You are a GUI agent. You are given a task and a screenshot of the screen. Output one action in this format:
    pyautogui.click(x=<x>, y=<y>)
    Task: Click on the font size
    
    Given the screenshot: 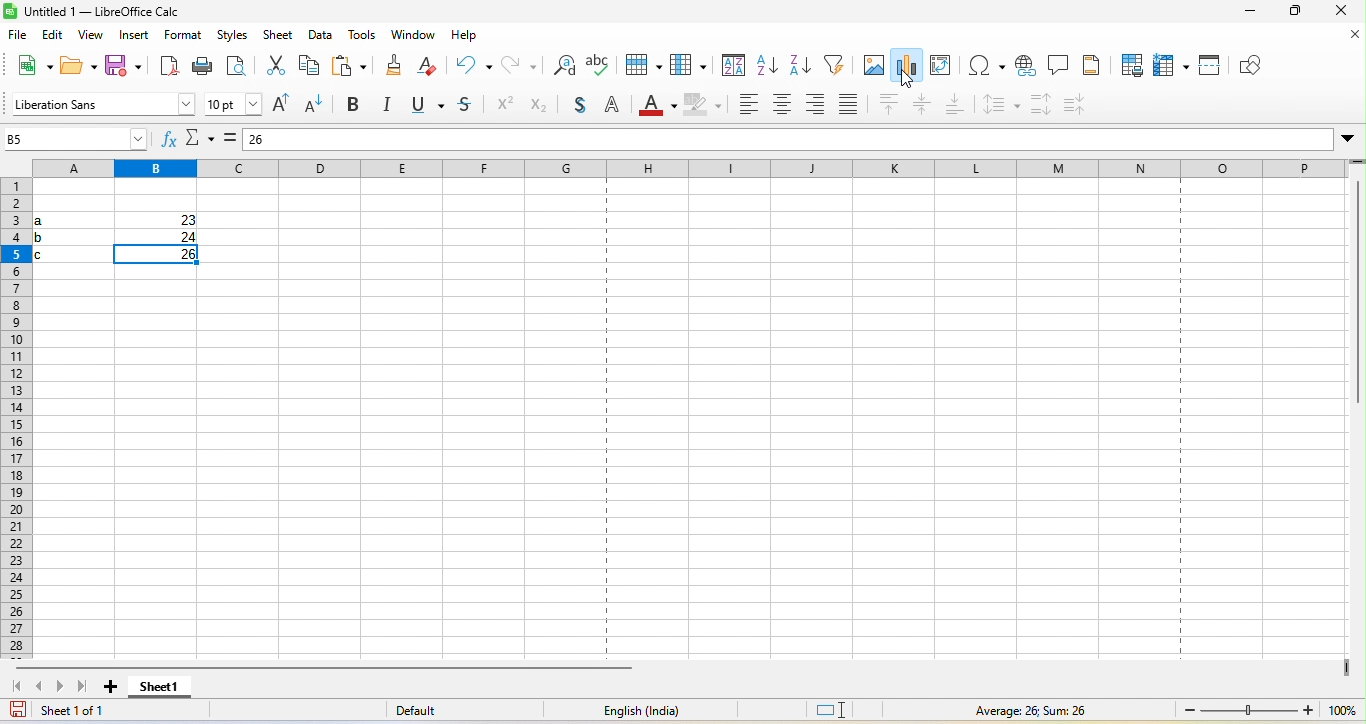 What is the action you would take?
    pyautogui.click(x=234, y=103)
    